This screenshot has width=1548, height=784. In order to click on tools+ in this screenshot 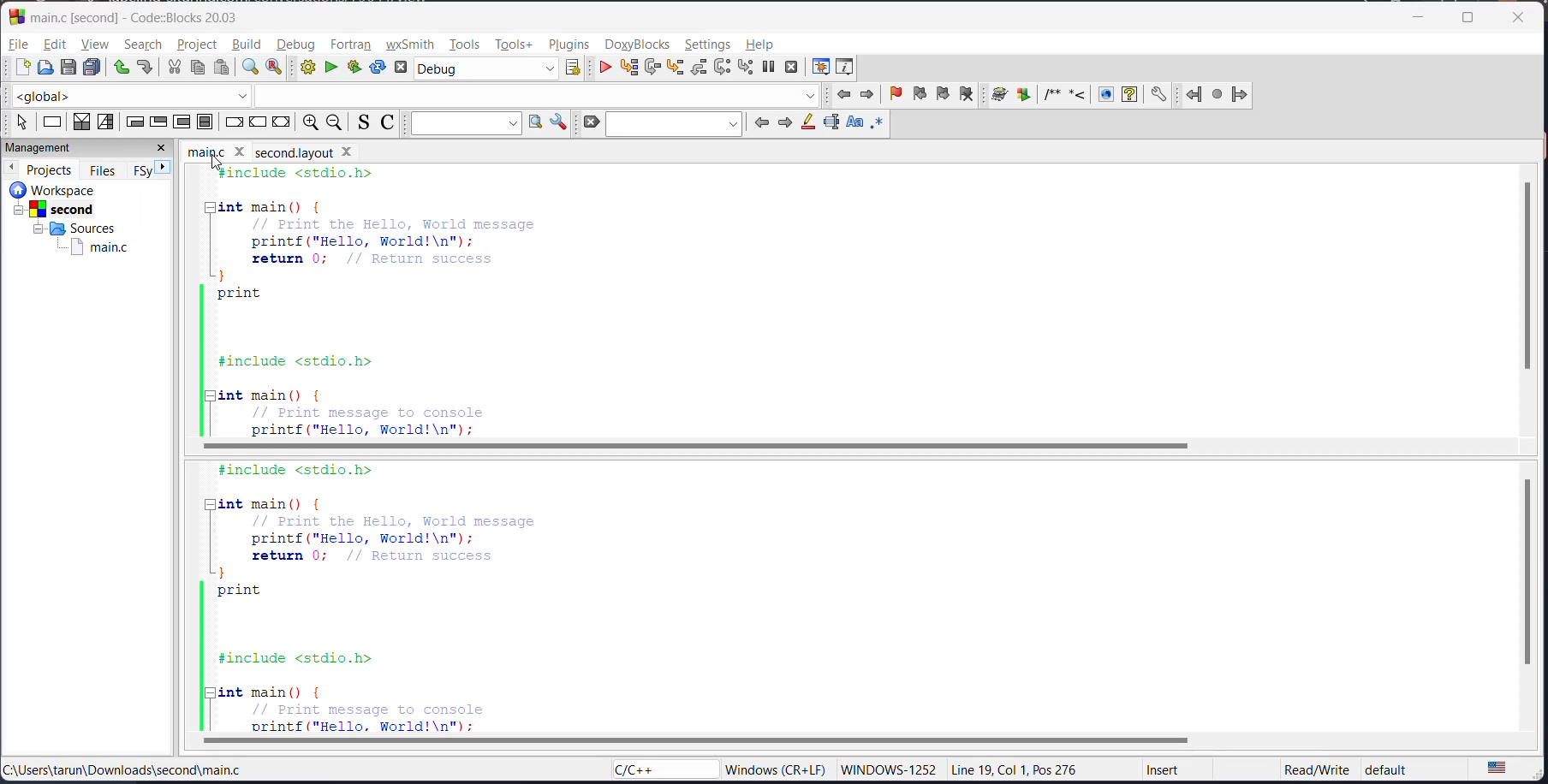, I will do `click(513, 45)`.